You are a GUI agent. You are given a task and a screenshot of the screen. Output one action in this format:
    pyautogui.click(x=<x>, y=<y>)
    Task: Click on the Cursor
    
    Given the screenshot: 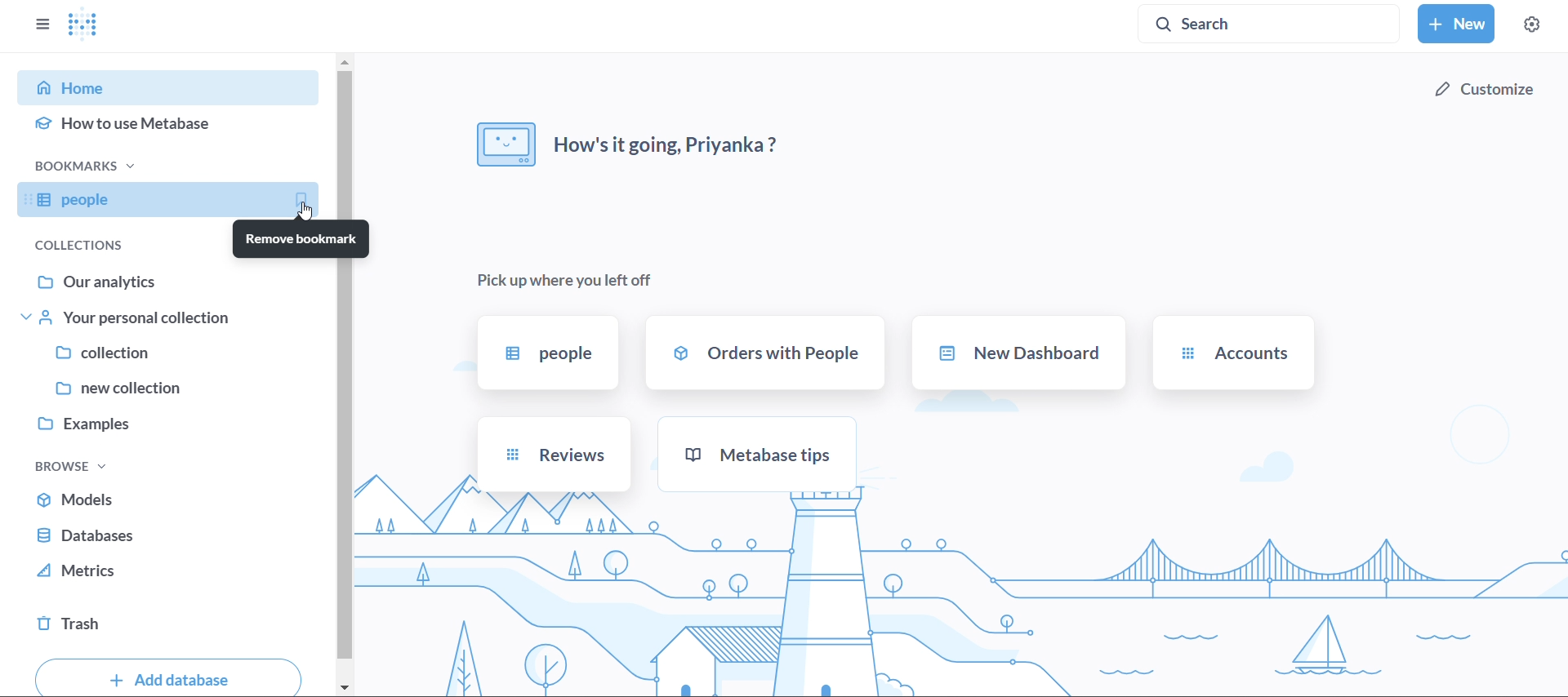 What is the action you would take?
    pyautogui.click(x=301, y=210)
    